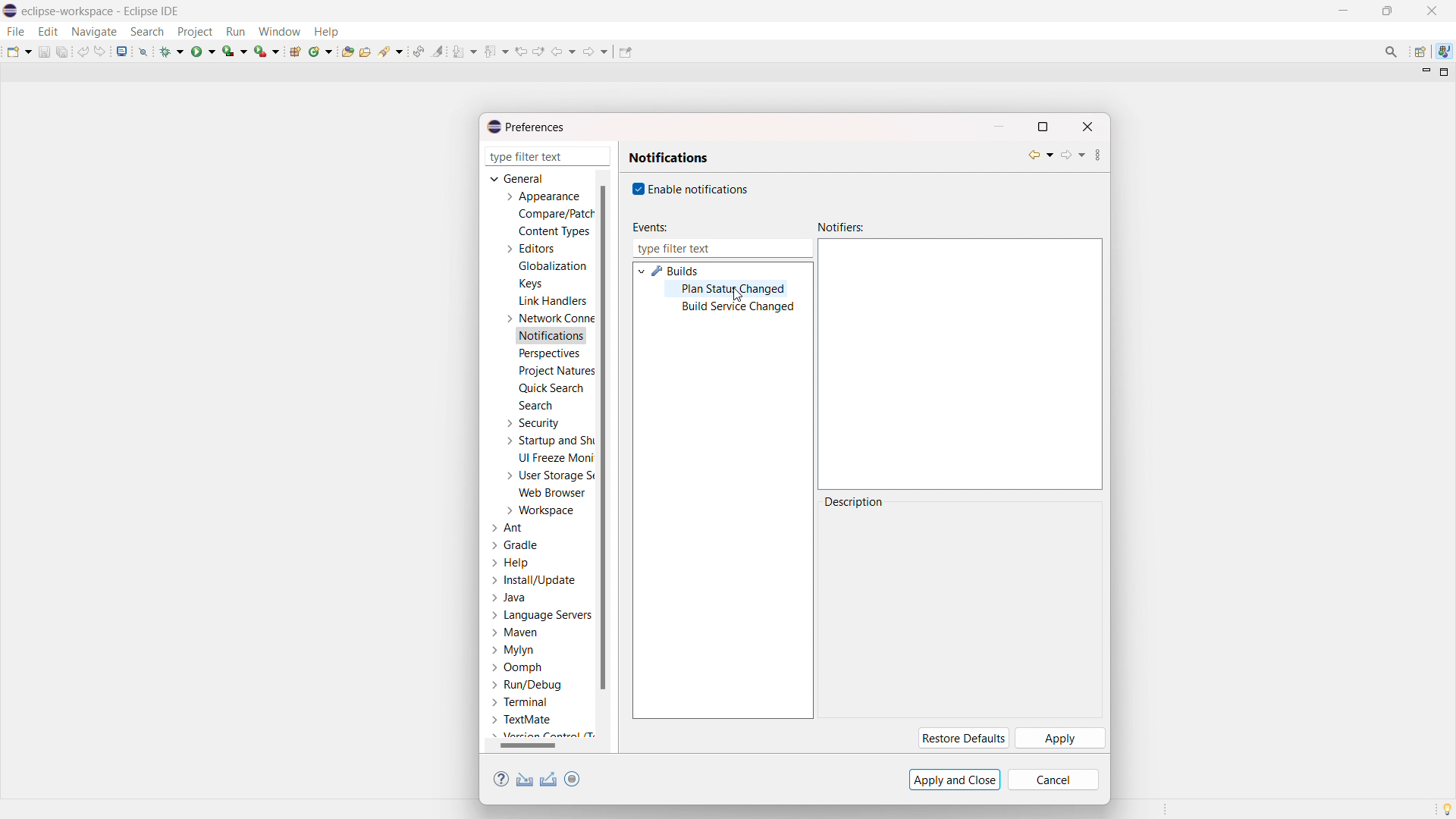 The image size is (1456, 819). What do you see at coordinates (1098, 157) in the screenshot?
I see `view menu` at bounding box center [1098, 157].